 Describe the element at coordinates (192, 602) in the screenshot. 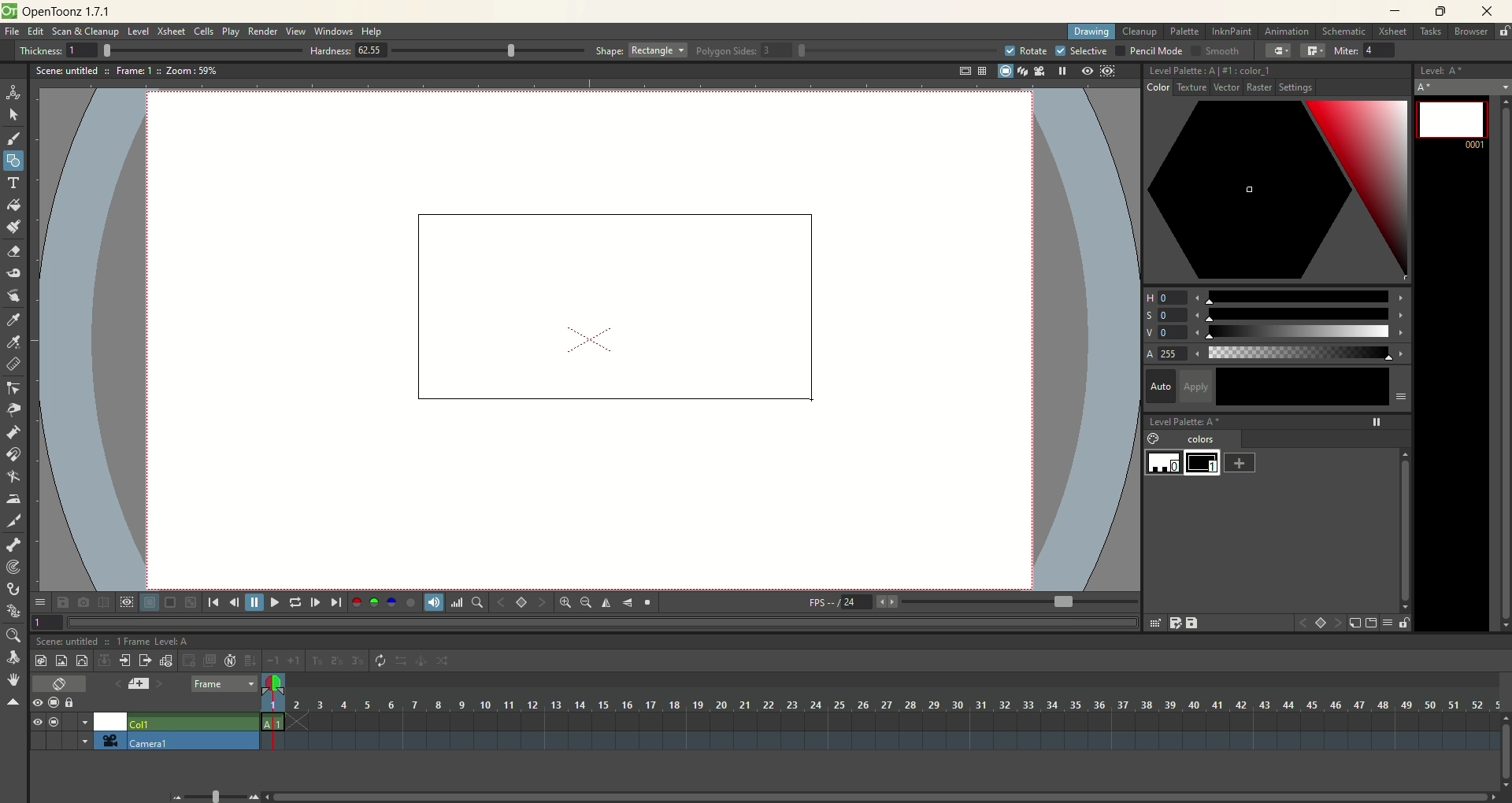

I see `checkered background` at that location.